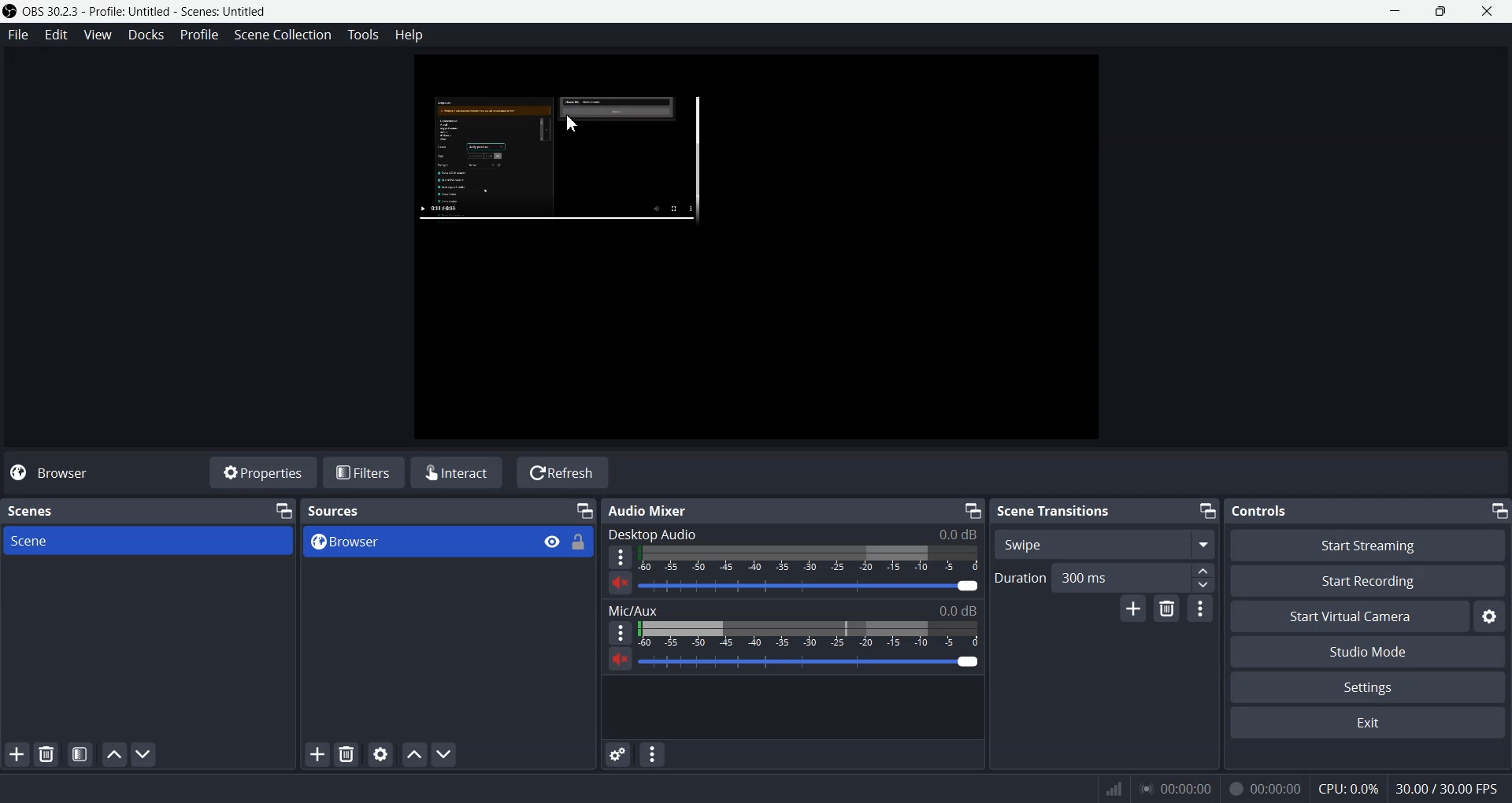 Image resolution: width=1512 pixels, height=803 pixels. I want to click on Maximize, so click(1441, 12).